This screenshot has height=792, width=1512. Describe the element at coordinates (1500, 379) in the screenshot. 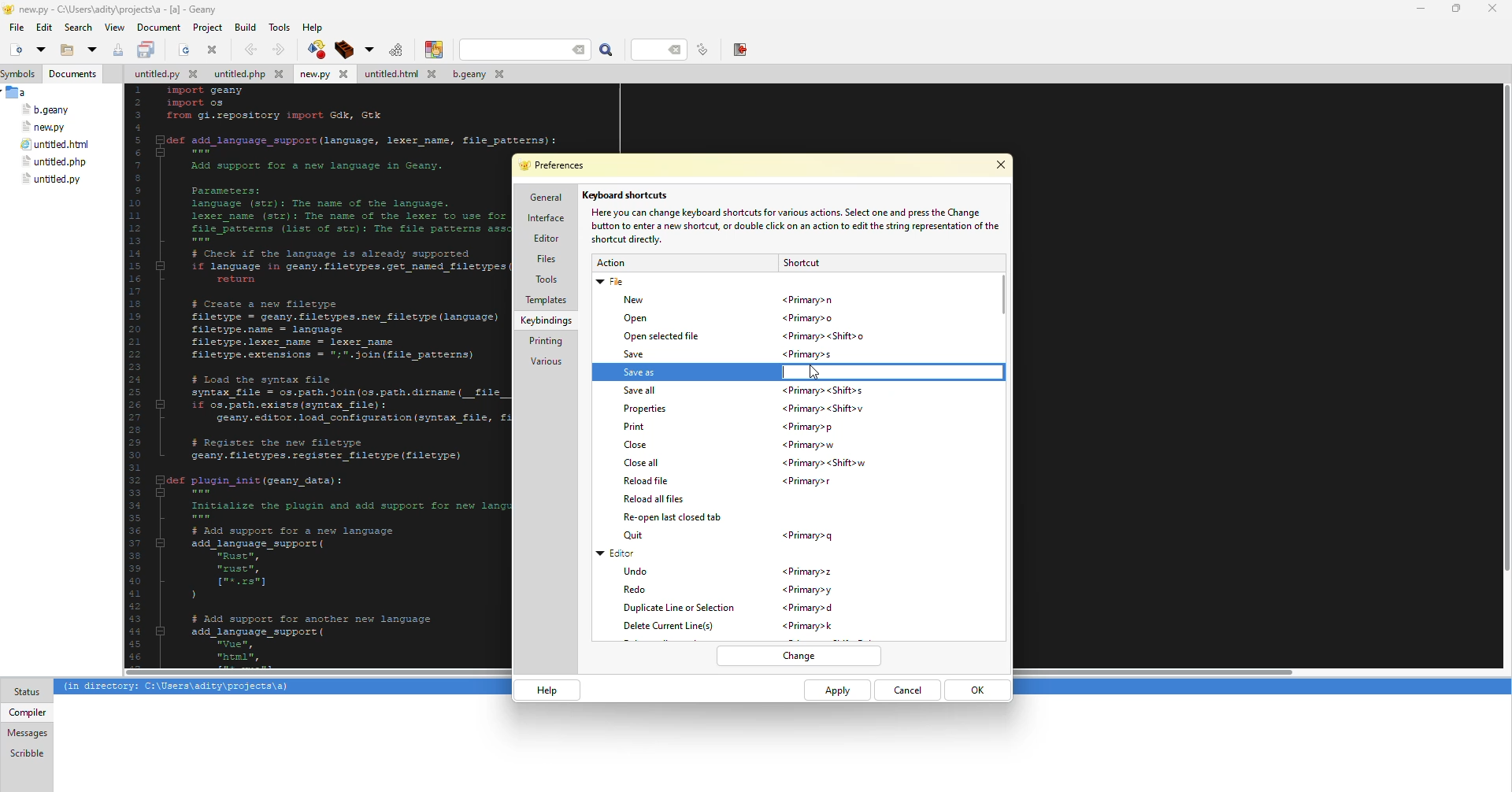

I see `` at that location.